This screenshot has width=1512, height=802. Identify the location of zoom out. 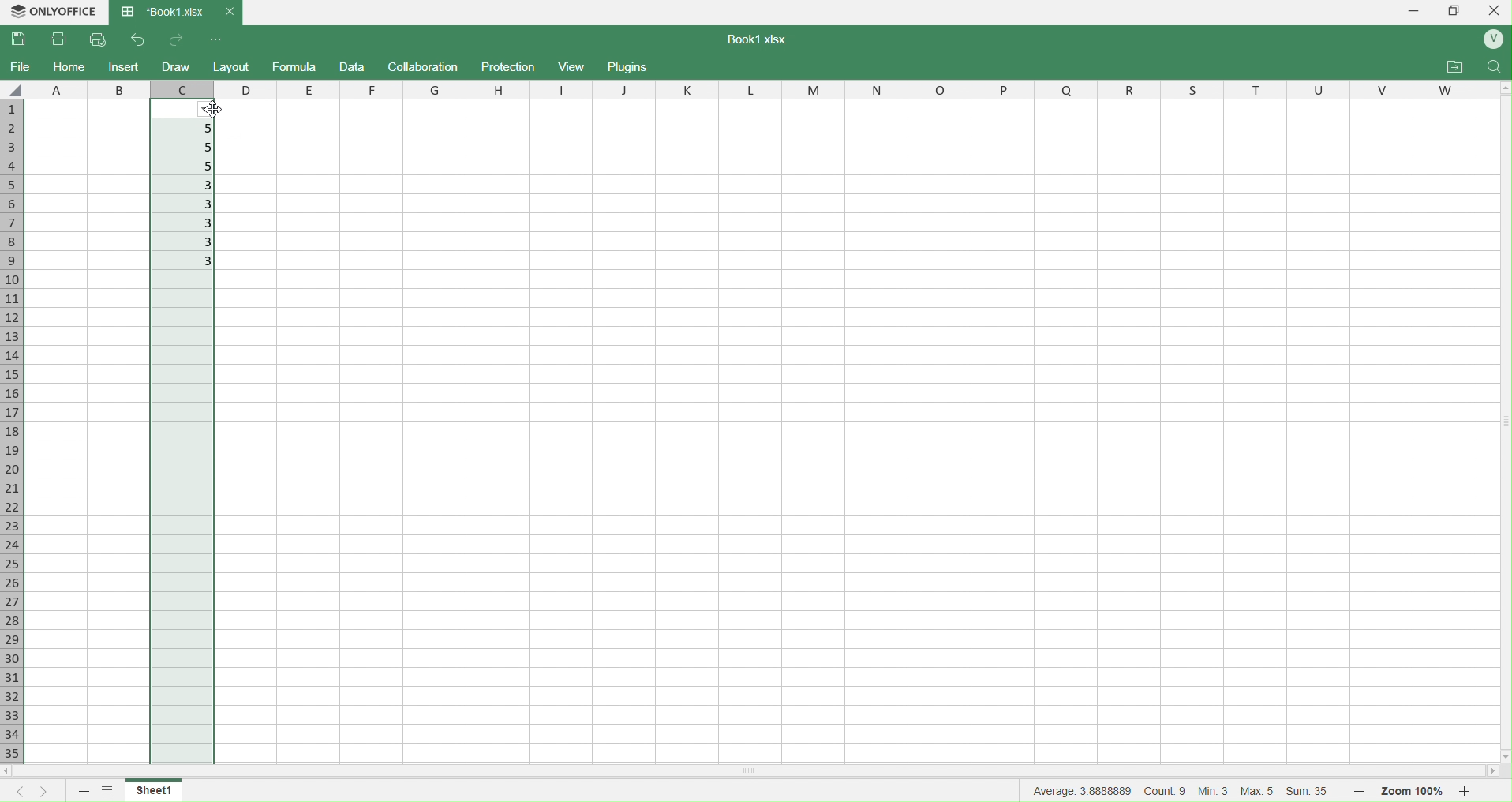
(1357, 789).